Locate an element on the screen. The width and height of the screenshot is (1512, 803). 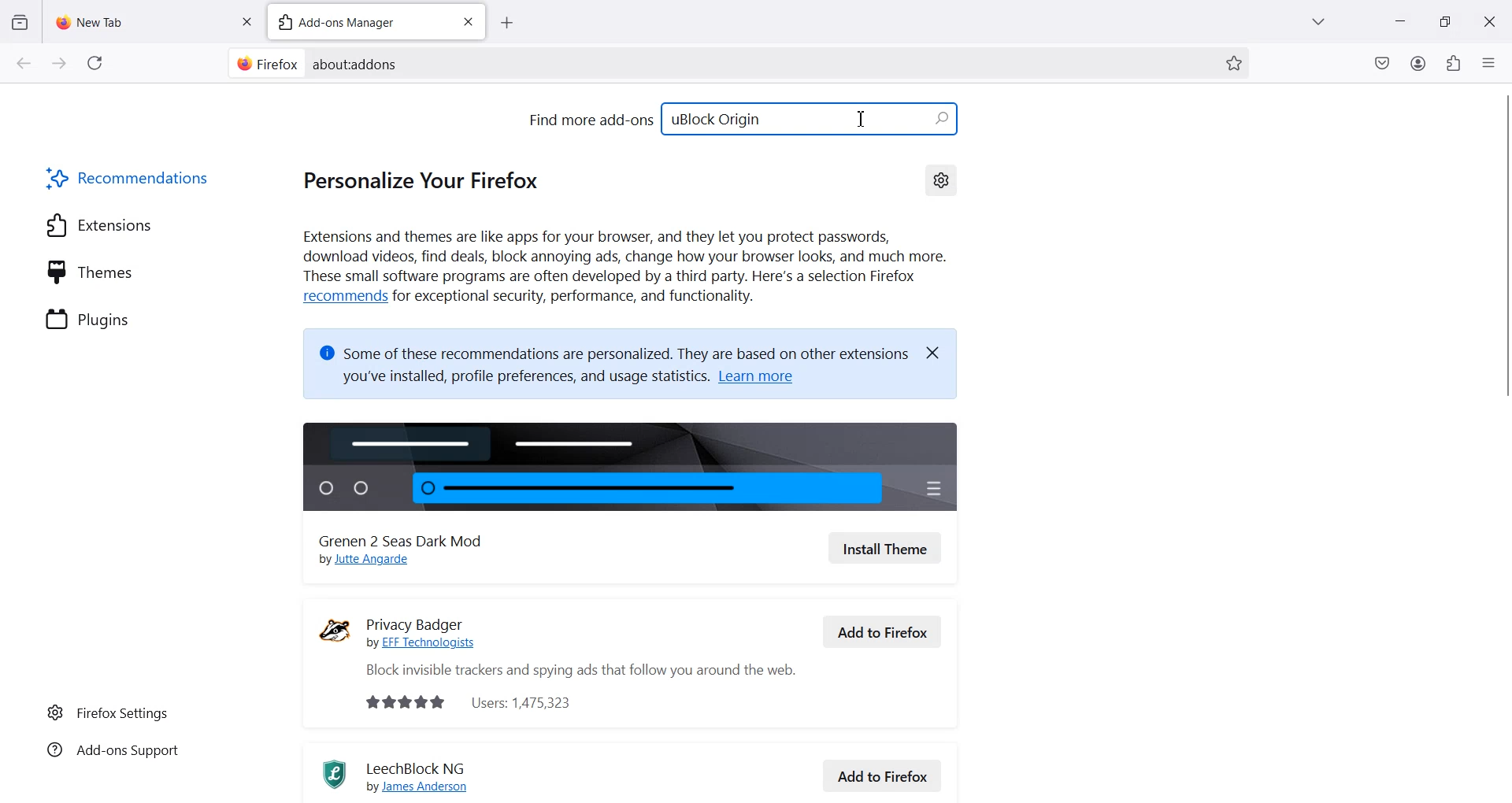
Privacy Badger is located at coordinates (433, 617).